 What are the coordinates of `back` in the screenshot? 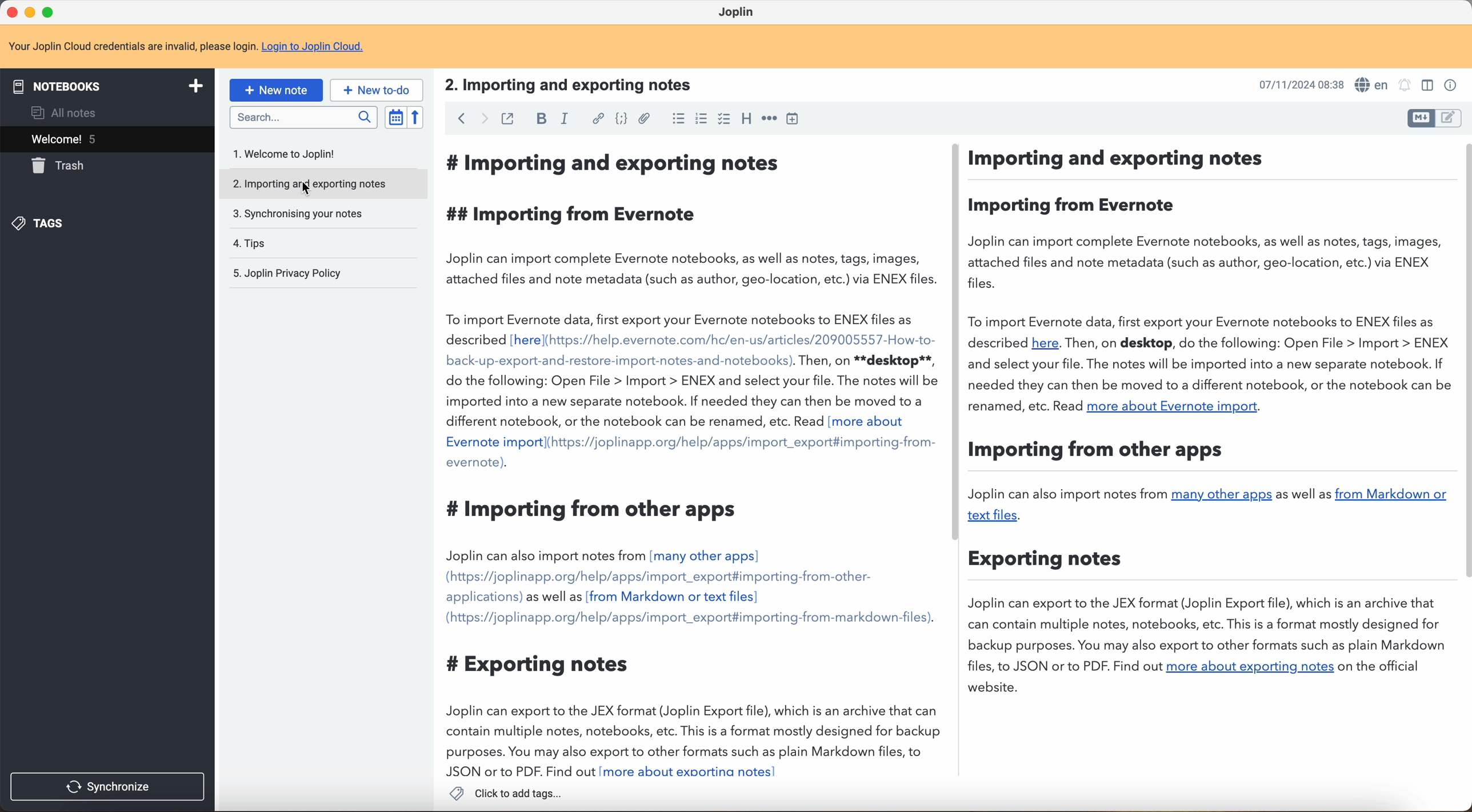 It's located at (458, 119).